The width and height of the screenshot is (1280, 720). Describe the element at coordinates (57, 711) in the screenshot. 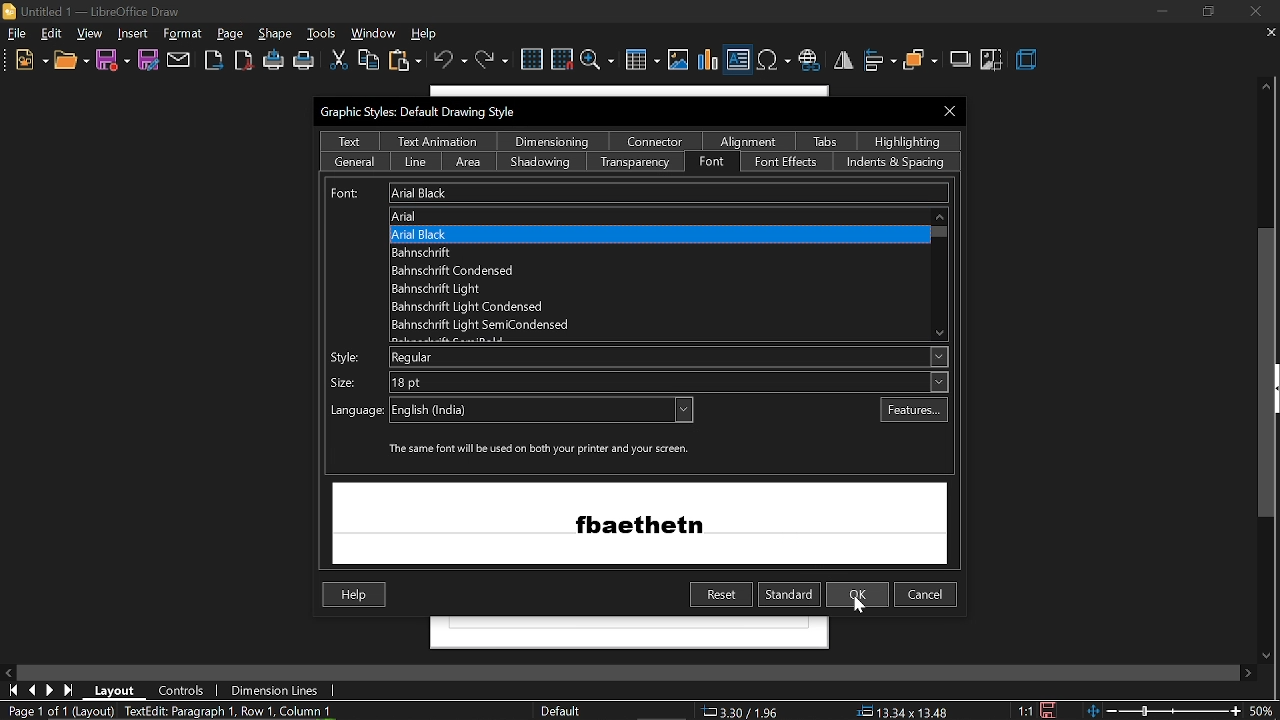

I see `Page 1 of 1 (Layout)` at that location.